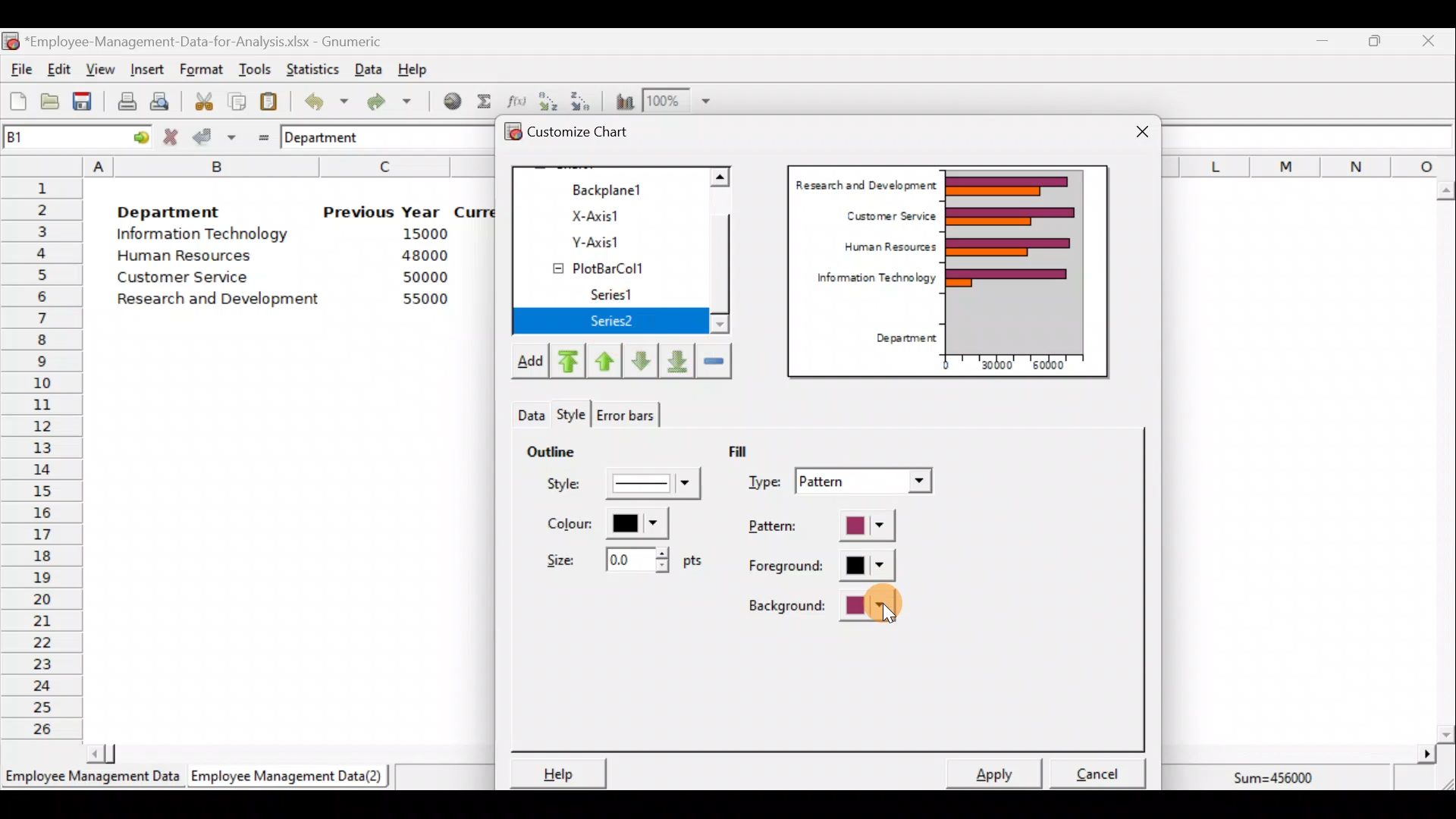 Image resolution: width=1456 pixels, height=819 pixels. What do you see at coordinates (54, 103) in the screenshot?
I see `Open a file` at bounding box center [54, 103].